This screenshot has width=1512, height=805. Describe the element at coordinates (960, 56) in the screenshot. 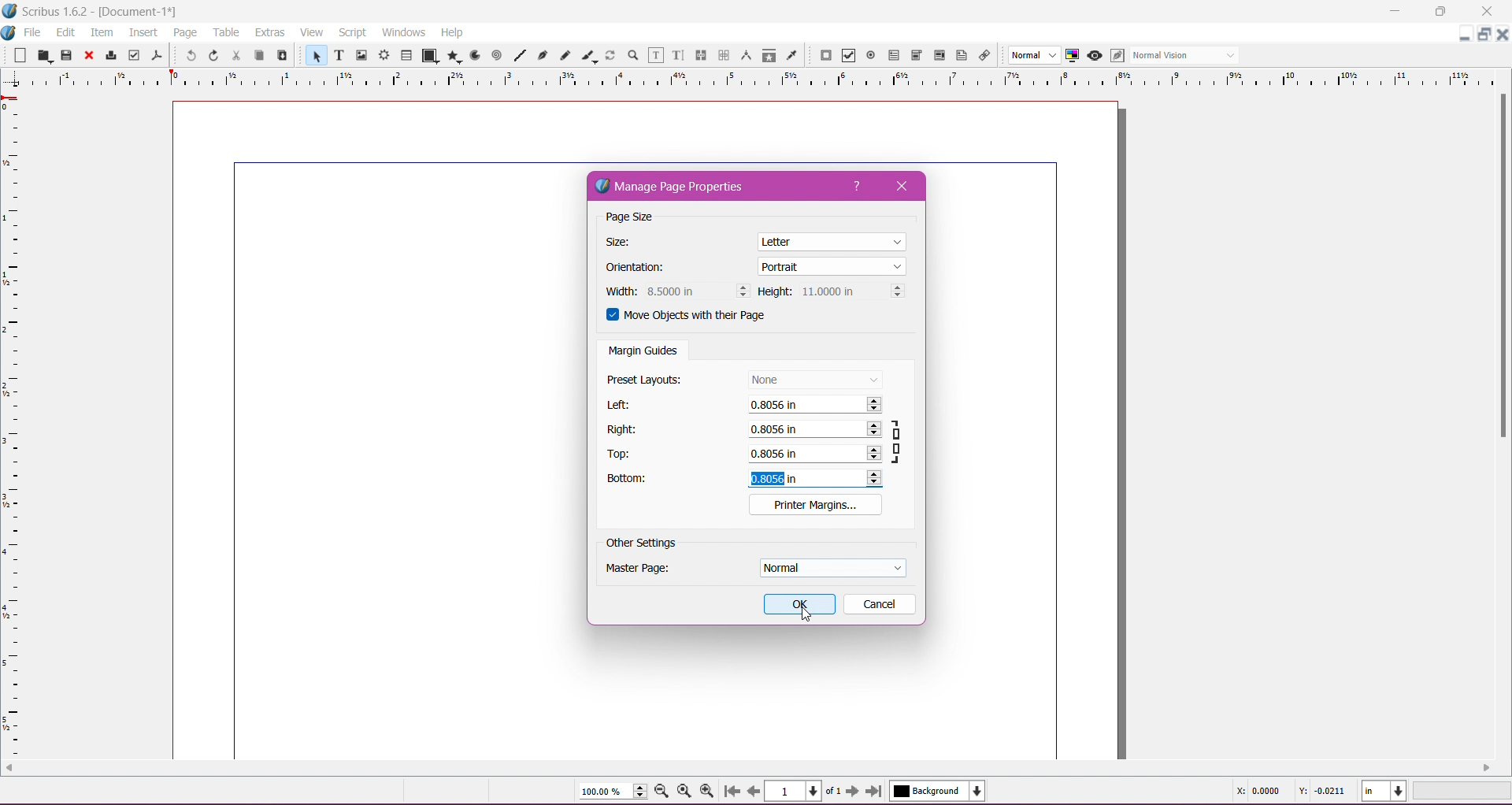

I see `Text Annotation` at that location.